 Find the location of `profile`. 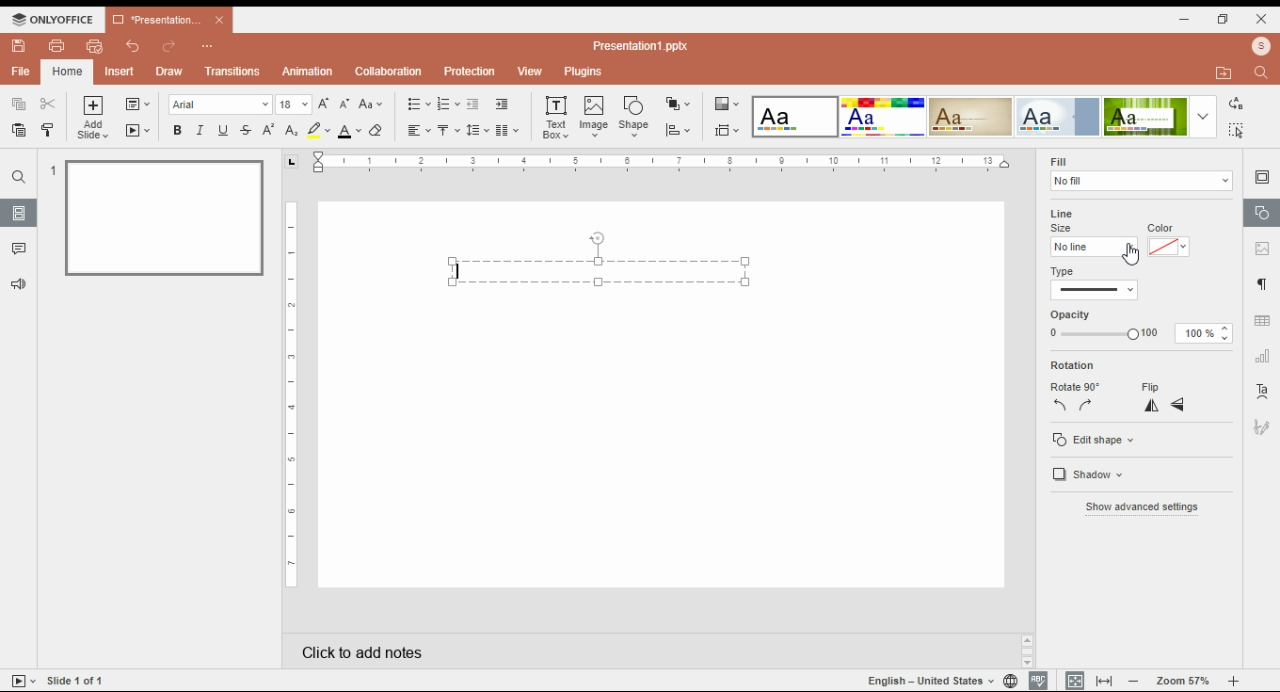

profile is located at coordinates (1260, 46).